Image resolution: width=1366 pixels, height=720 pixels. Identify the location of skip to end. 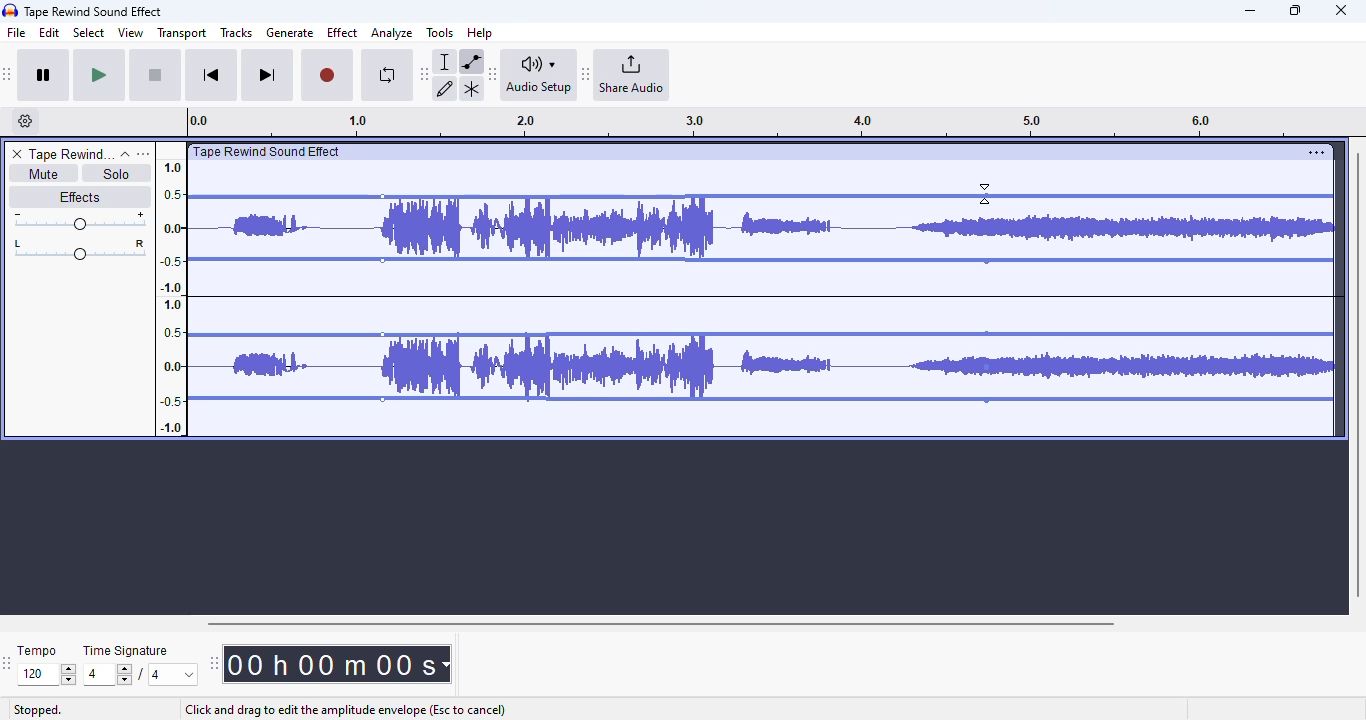
(266, 76).